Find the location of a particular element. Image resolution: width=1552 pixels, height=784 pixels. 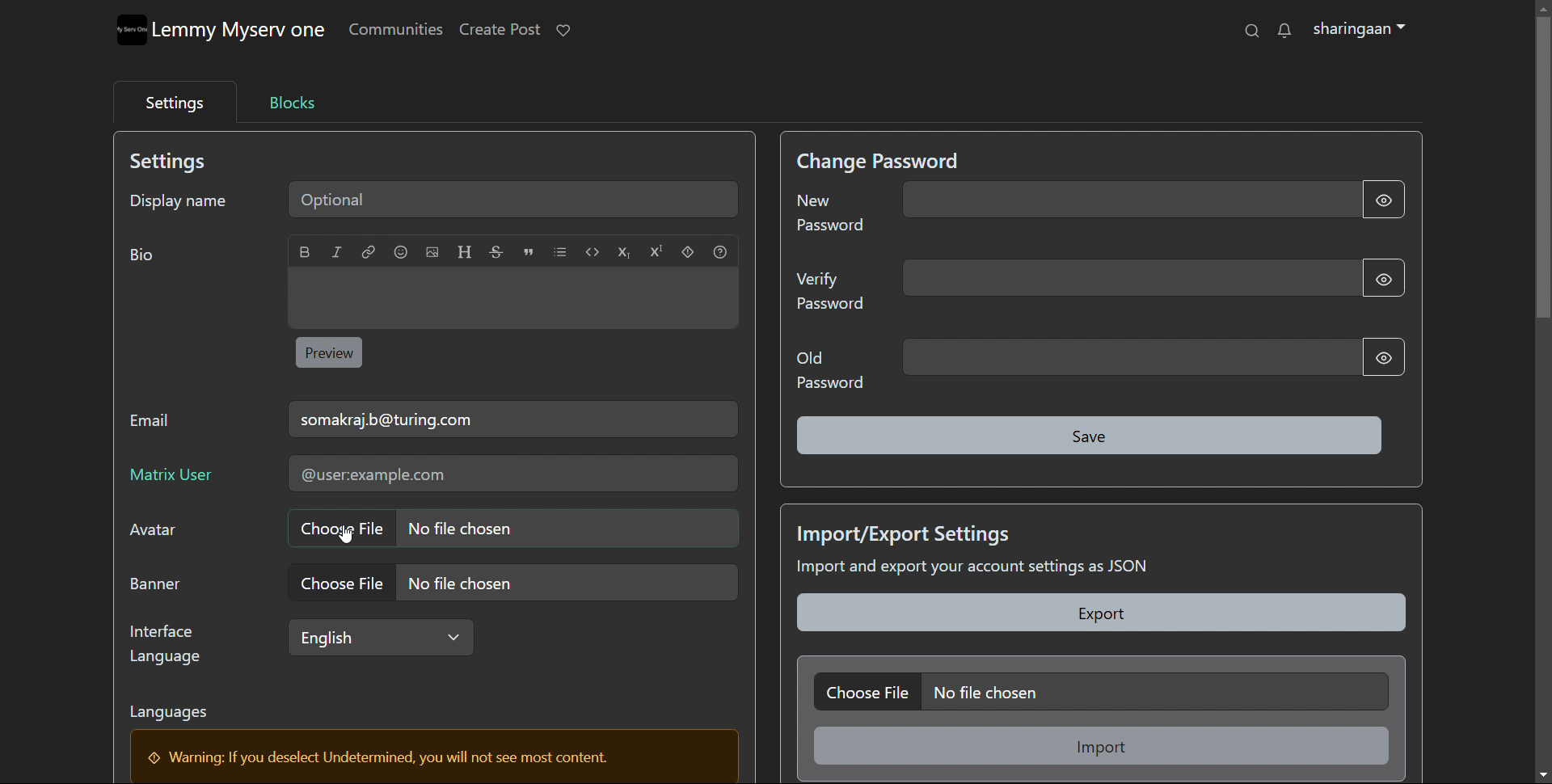

subscriipt is located at coordinates (624, 252).